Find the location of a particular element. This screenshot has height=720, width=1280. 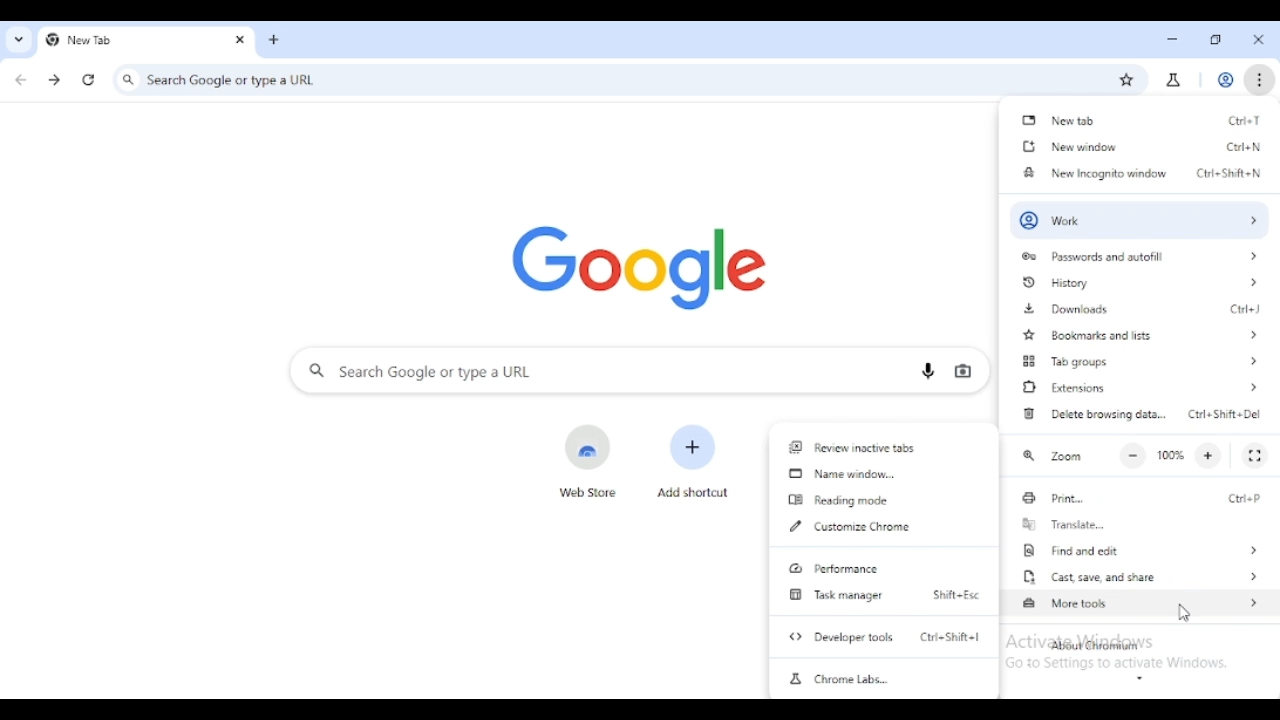

cursor is located at coordinates (1185, 613).